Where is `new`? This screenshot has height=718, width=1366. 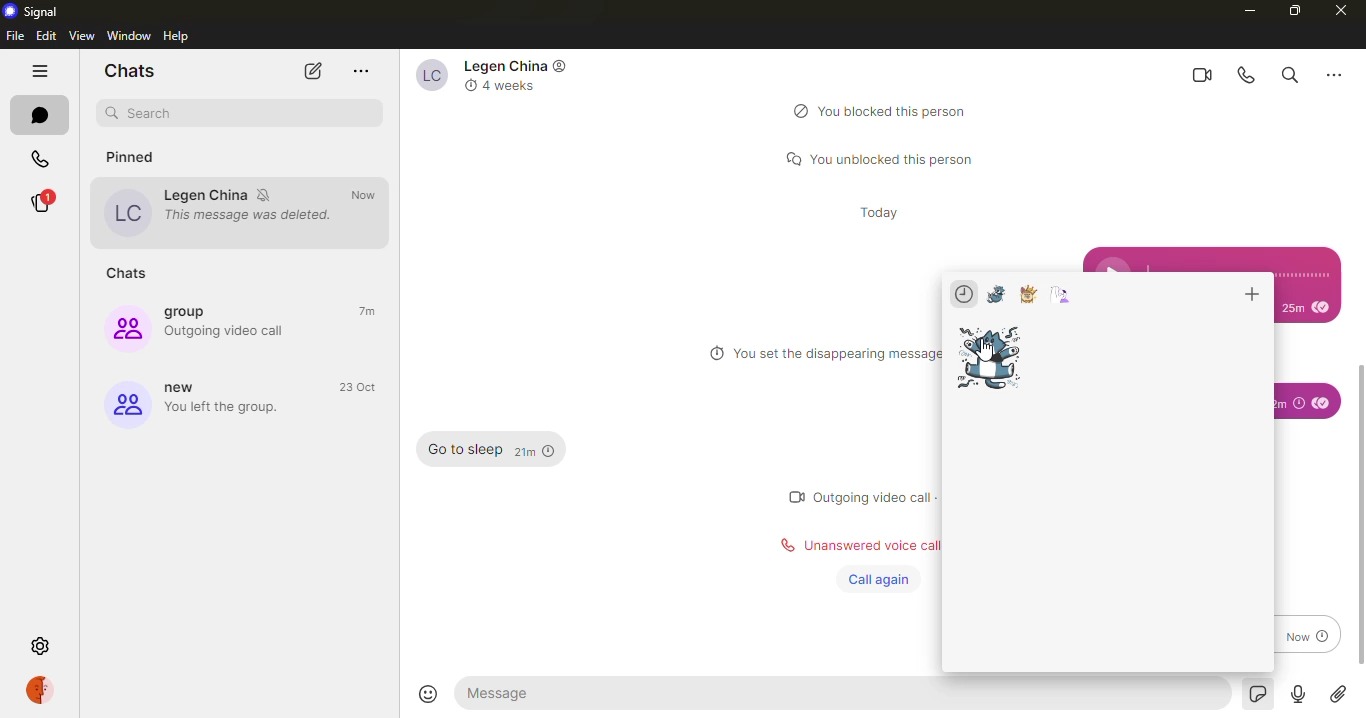
new is located at coordinates (126, 405).